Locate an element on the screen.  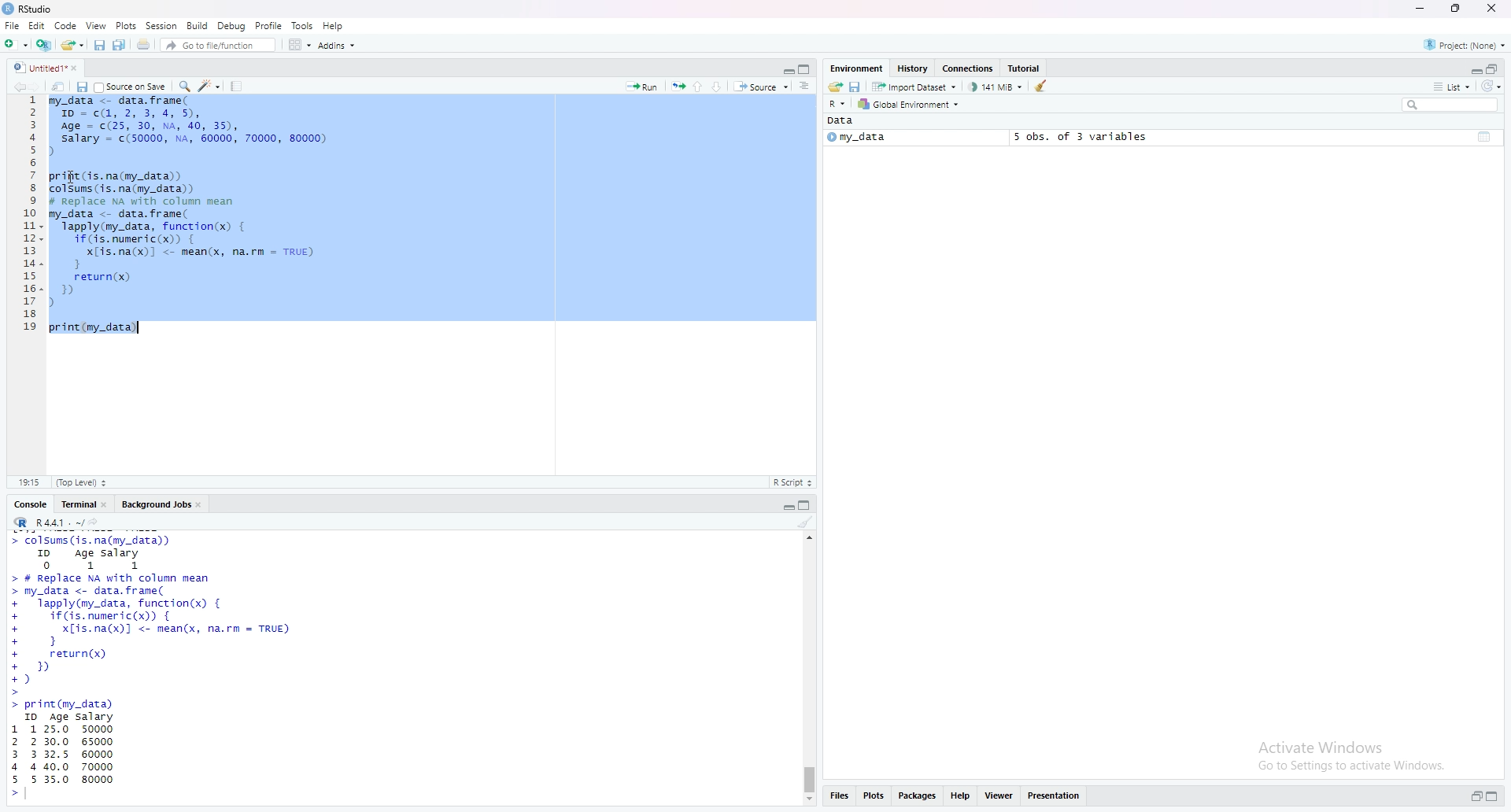
list is located at coordinates (1451, 87).